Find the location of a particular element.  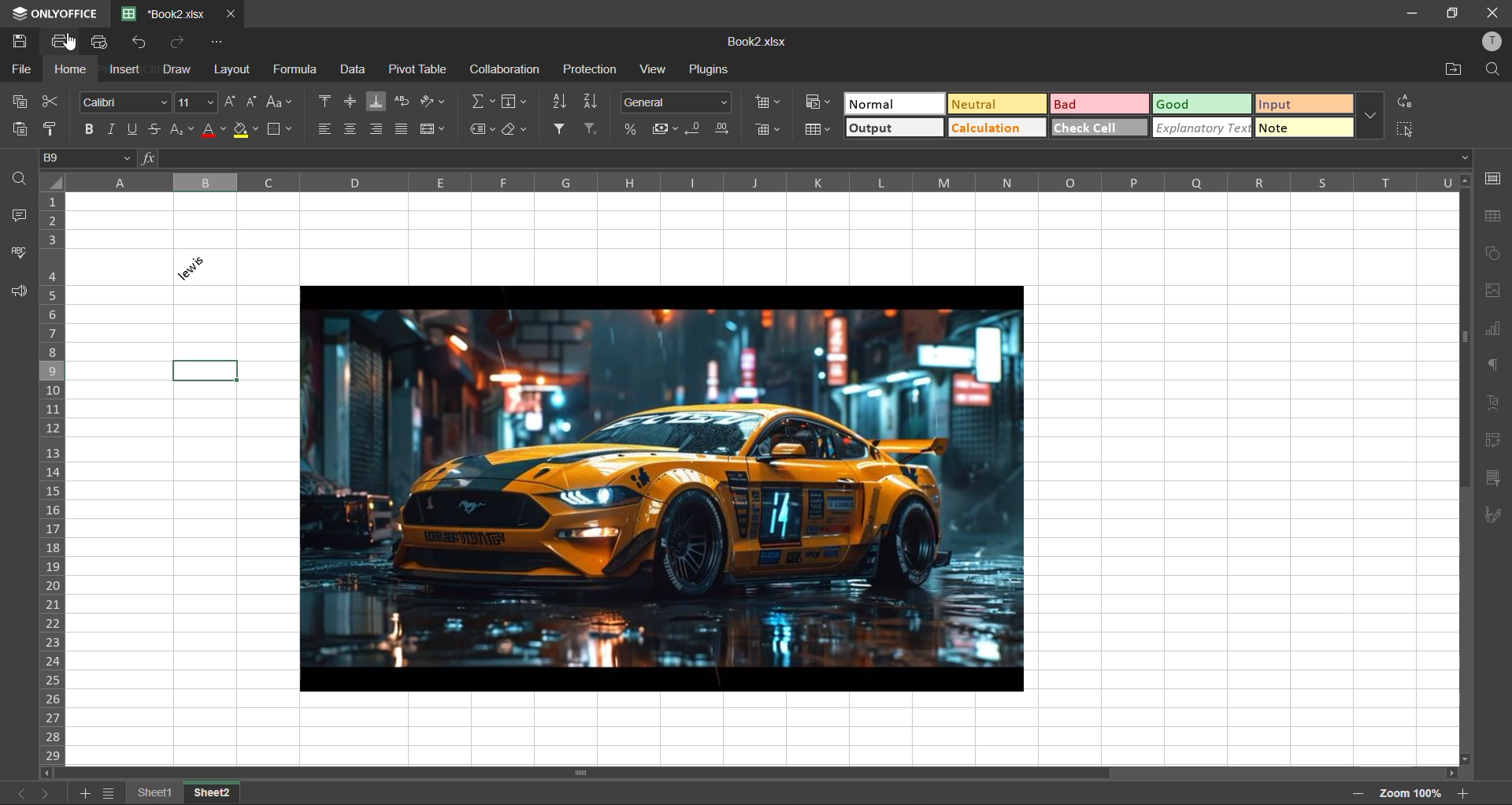

replace is located at coordinates (1407, 103).